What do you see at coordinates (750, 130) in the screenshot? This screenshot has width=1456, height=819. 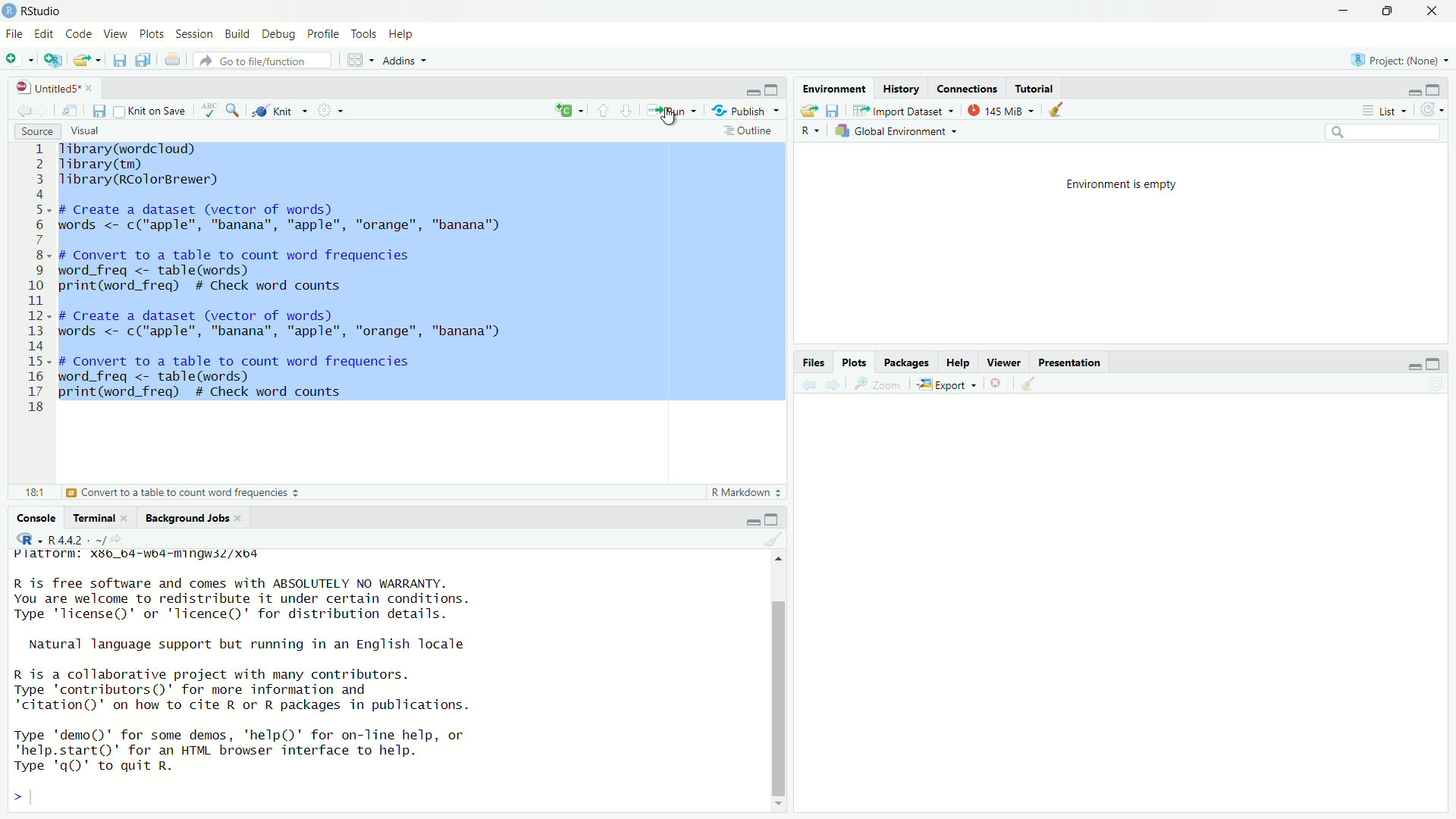 I see `Outiline` at bounding box center [750, 130].